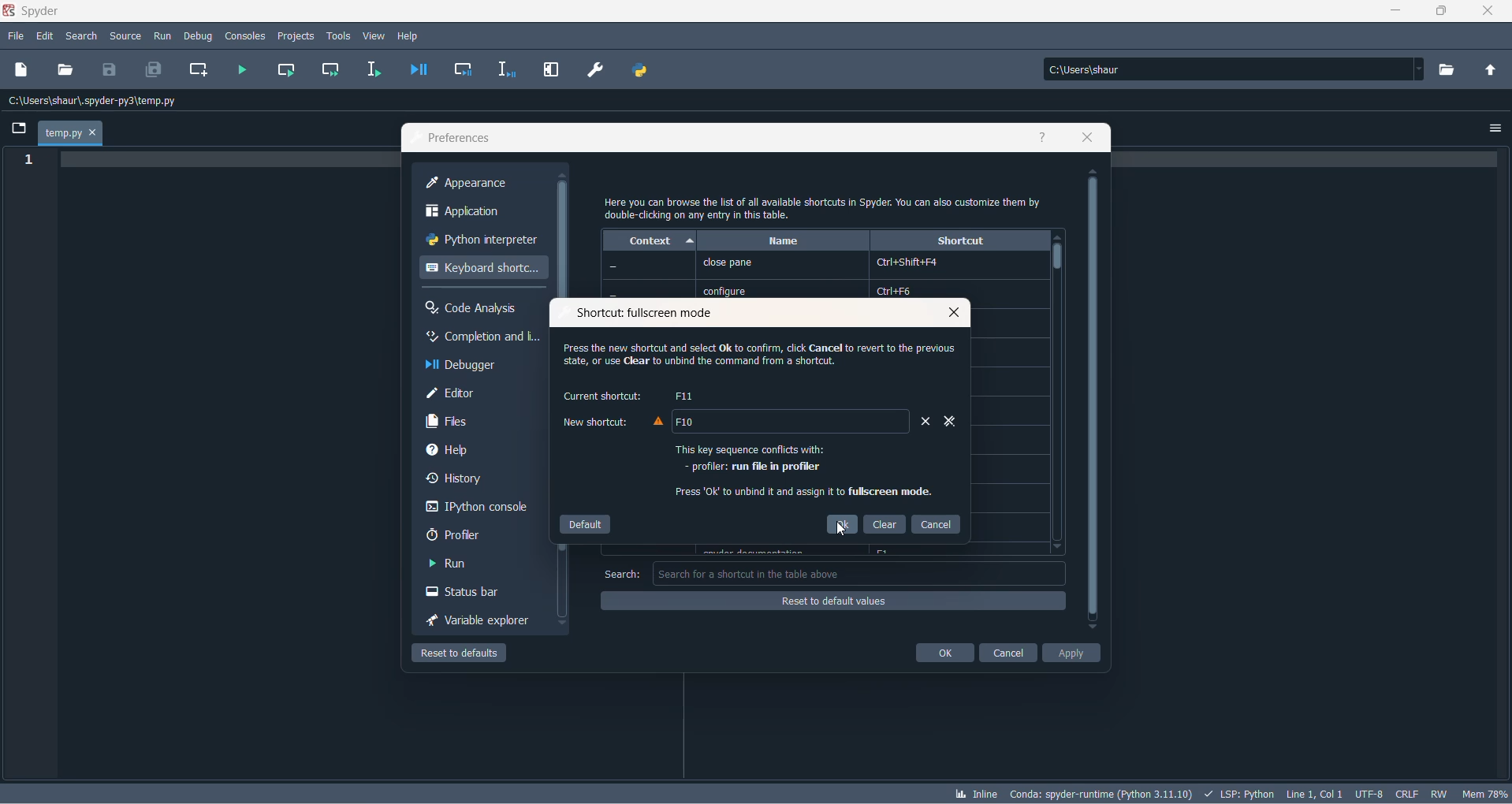 The image size is (1512, 804). I want to click on line number, so click(32, 161).